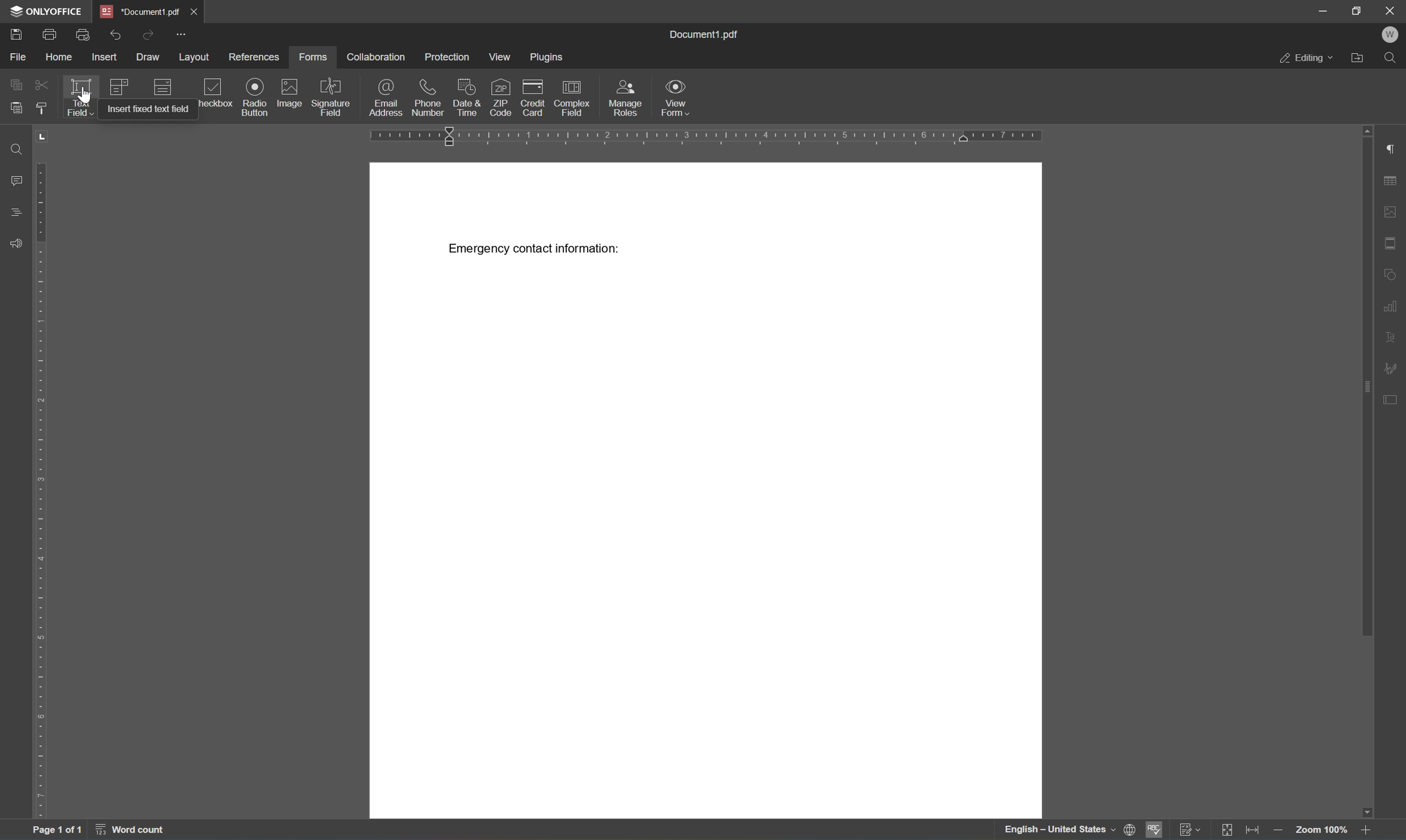 This screenshot has height=840, width=1406. I want to click on scroll bar, so click(1367, 387).